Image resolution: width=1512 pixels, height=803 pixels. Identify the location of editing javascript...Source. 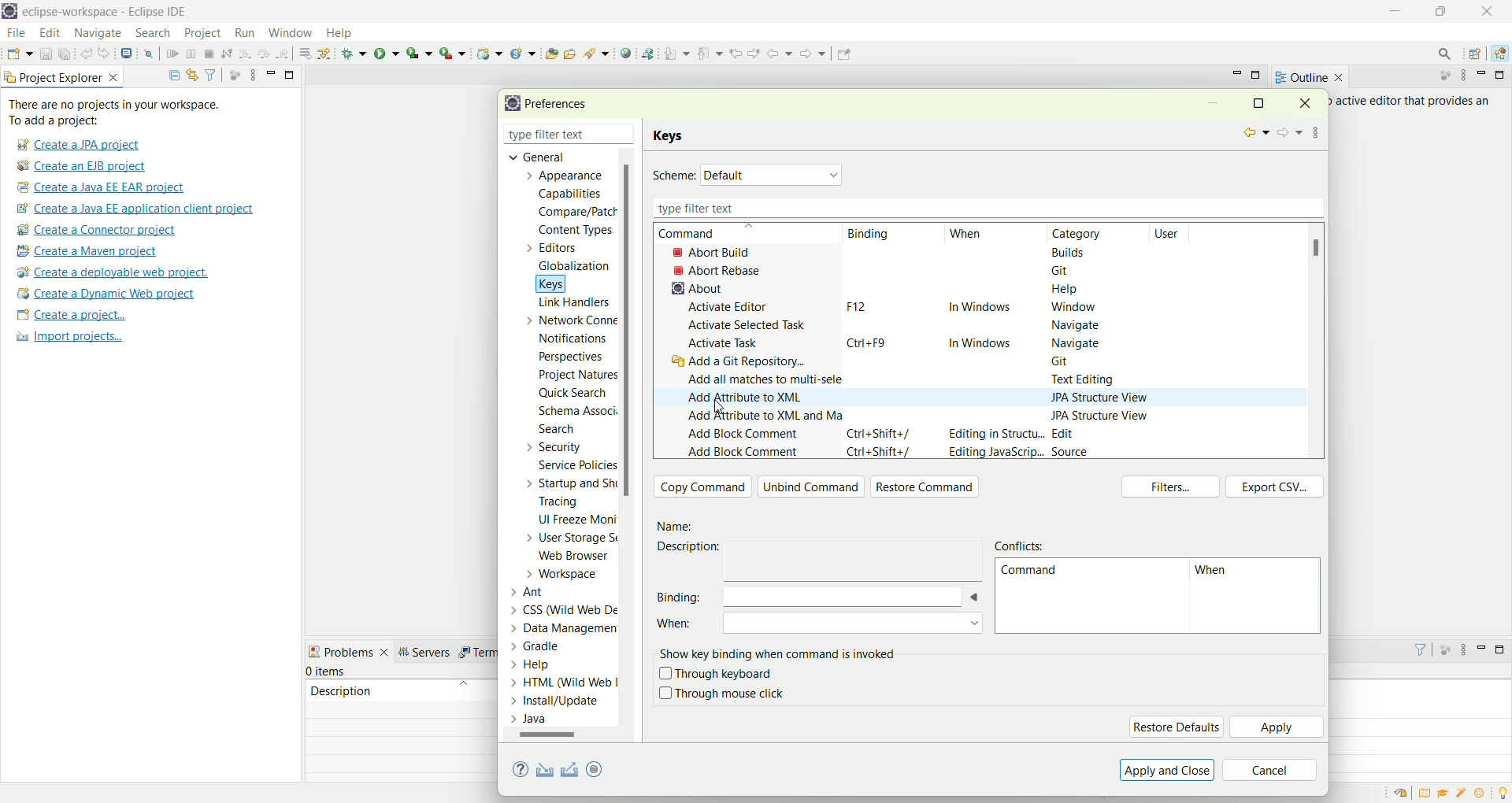
(1017, 453).